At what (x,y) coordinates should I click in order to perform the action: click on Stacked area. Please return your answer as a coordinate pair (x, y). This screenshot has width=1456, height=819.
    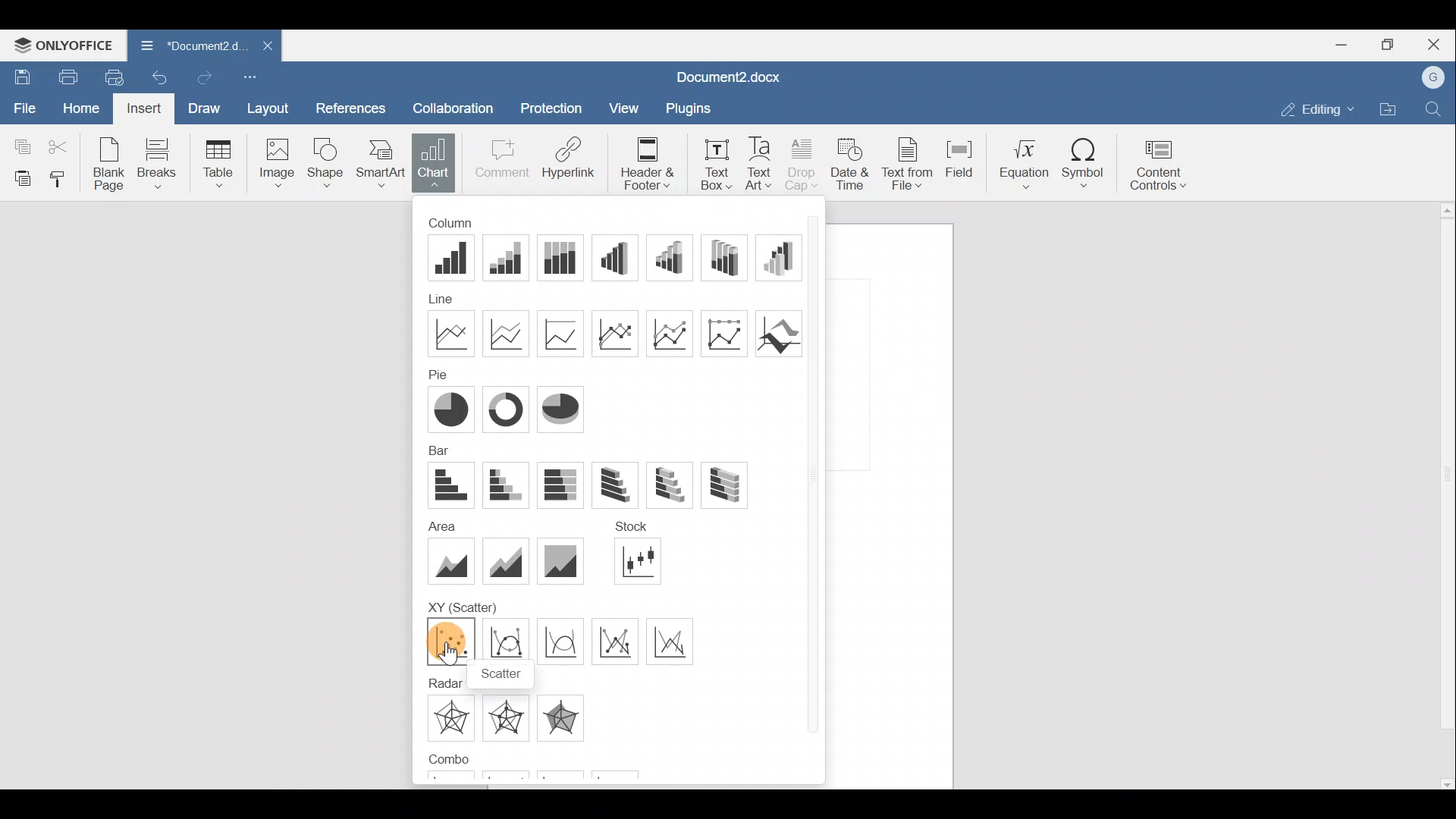
    Looking at the image, I should click on (504, 559).